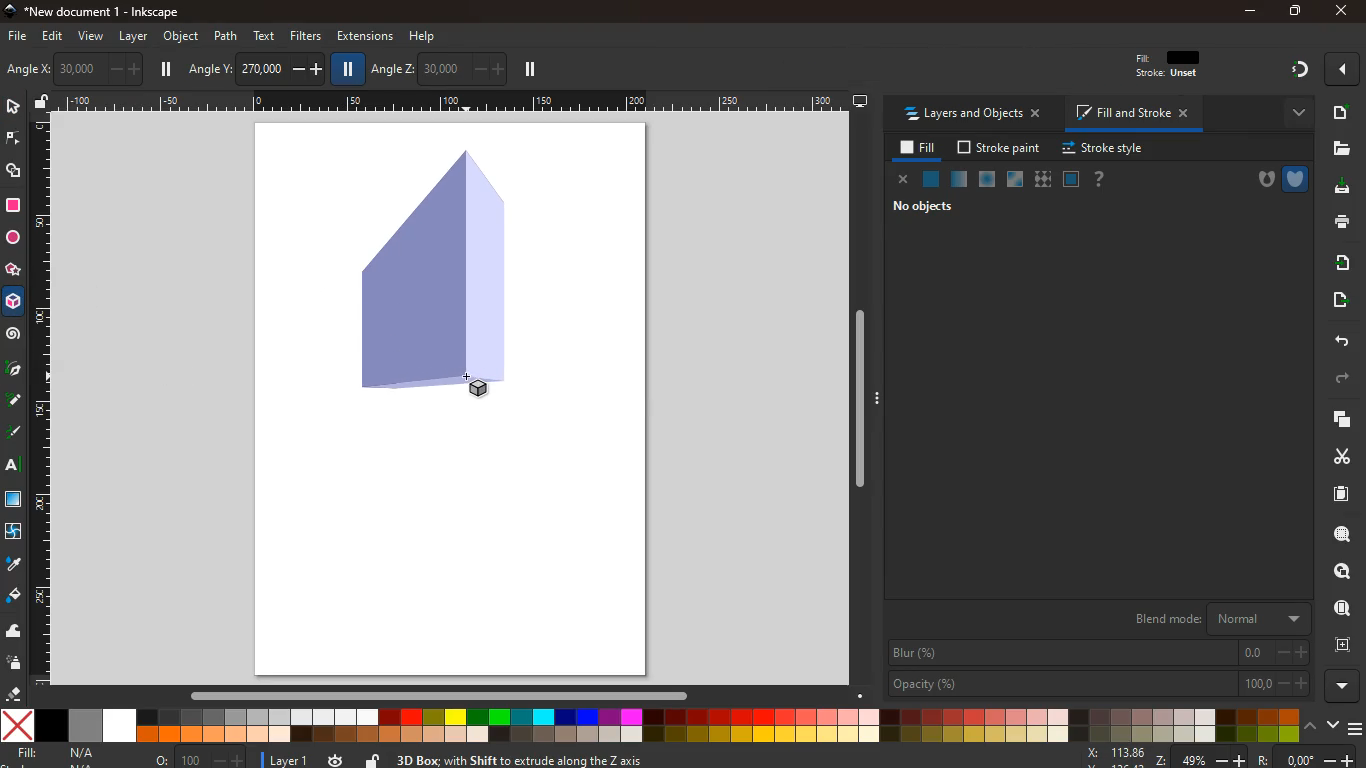  I want to click on menu, so click(1354, 724).